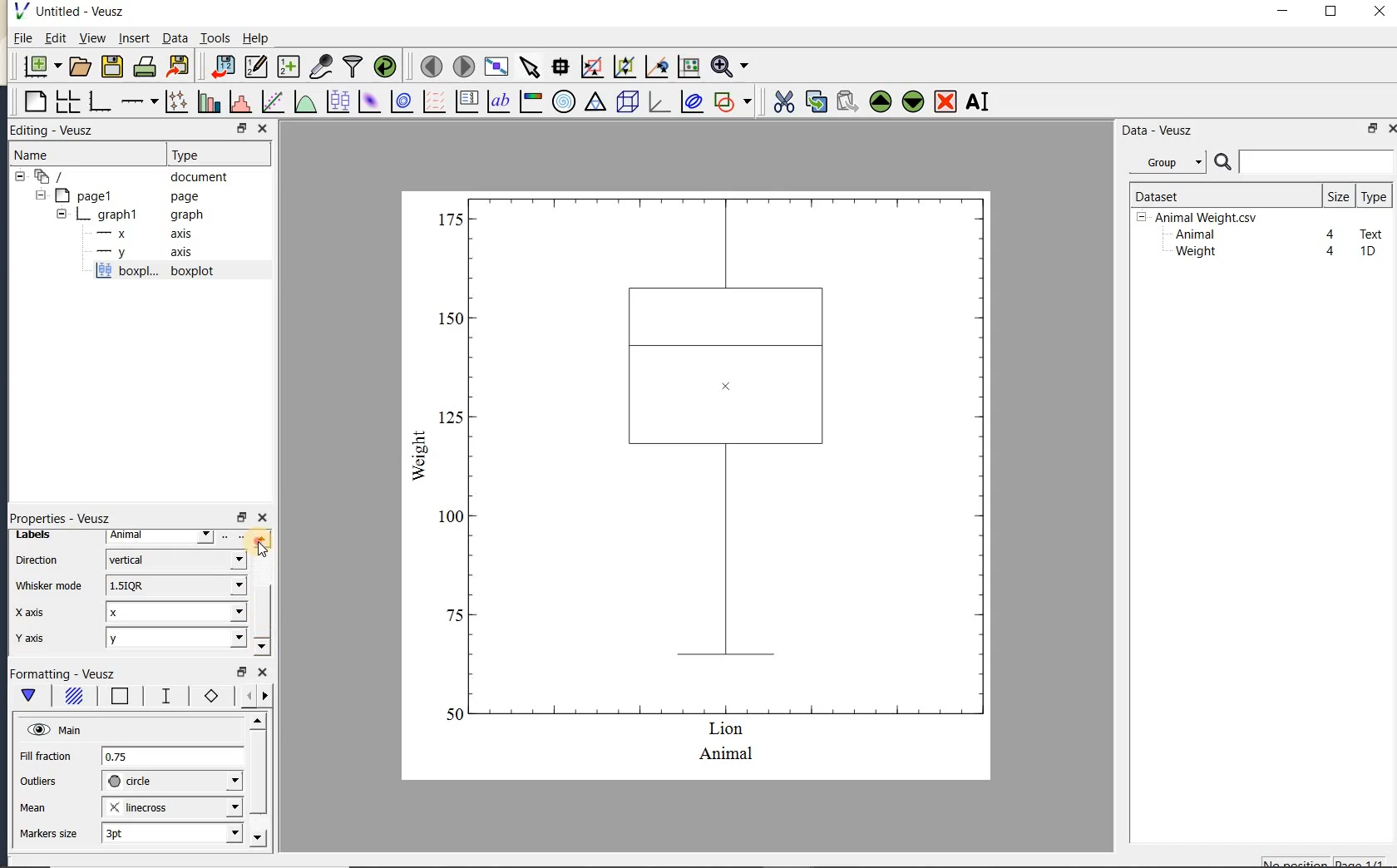  Describe the element at coordinates (91, 40) in the screenshot. I see `view` at that location.